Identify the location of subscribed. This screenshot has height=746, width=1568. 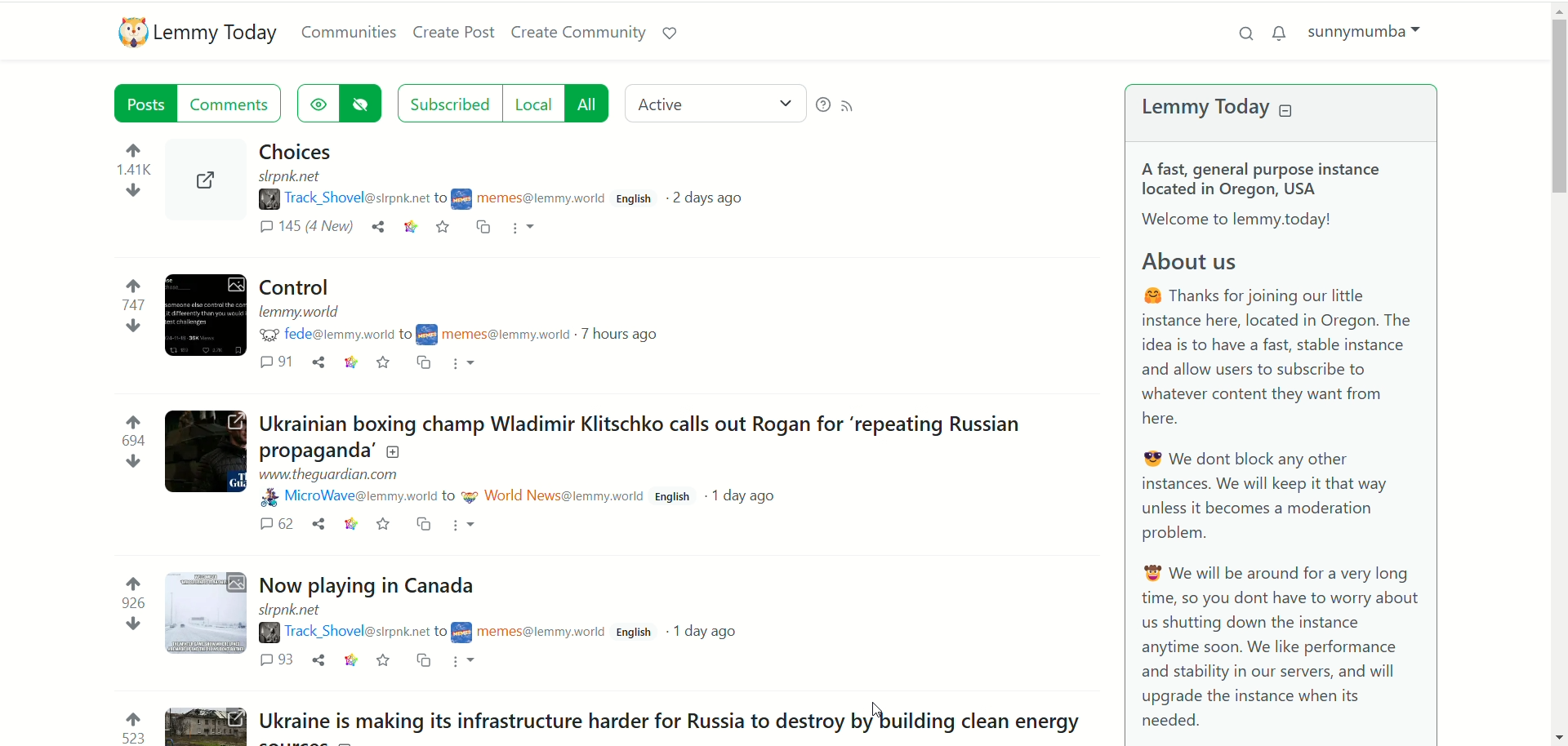
(447, 101).